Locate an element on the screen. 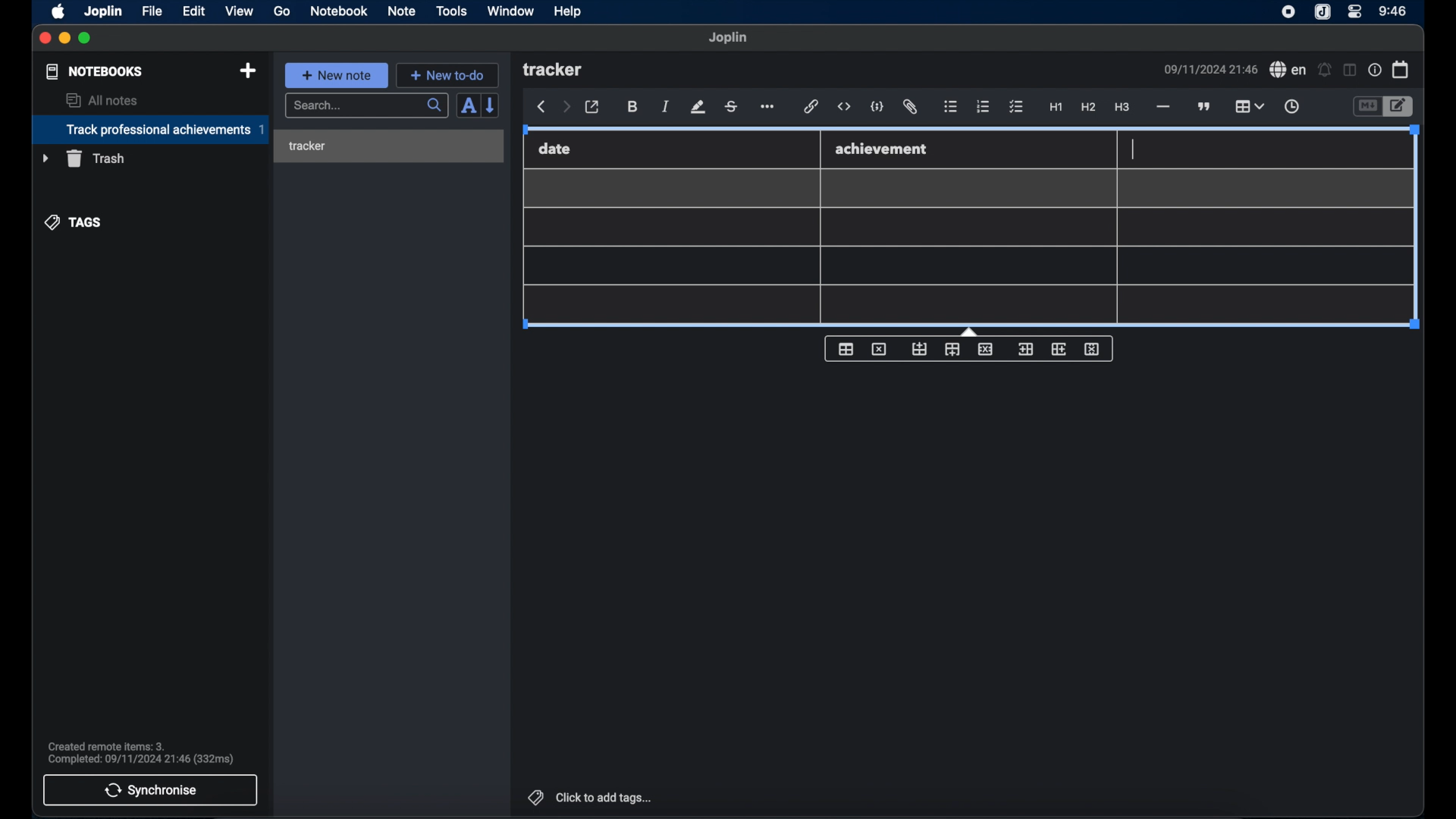  joplin is located at coordinates (1323, 13).